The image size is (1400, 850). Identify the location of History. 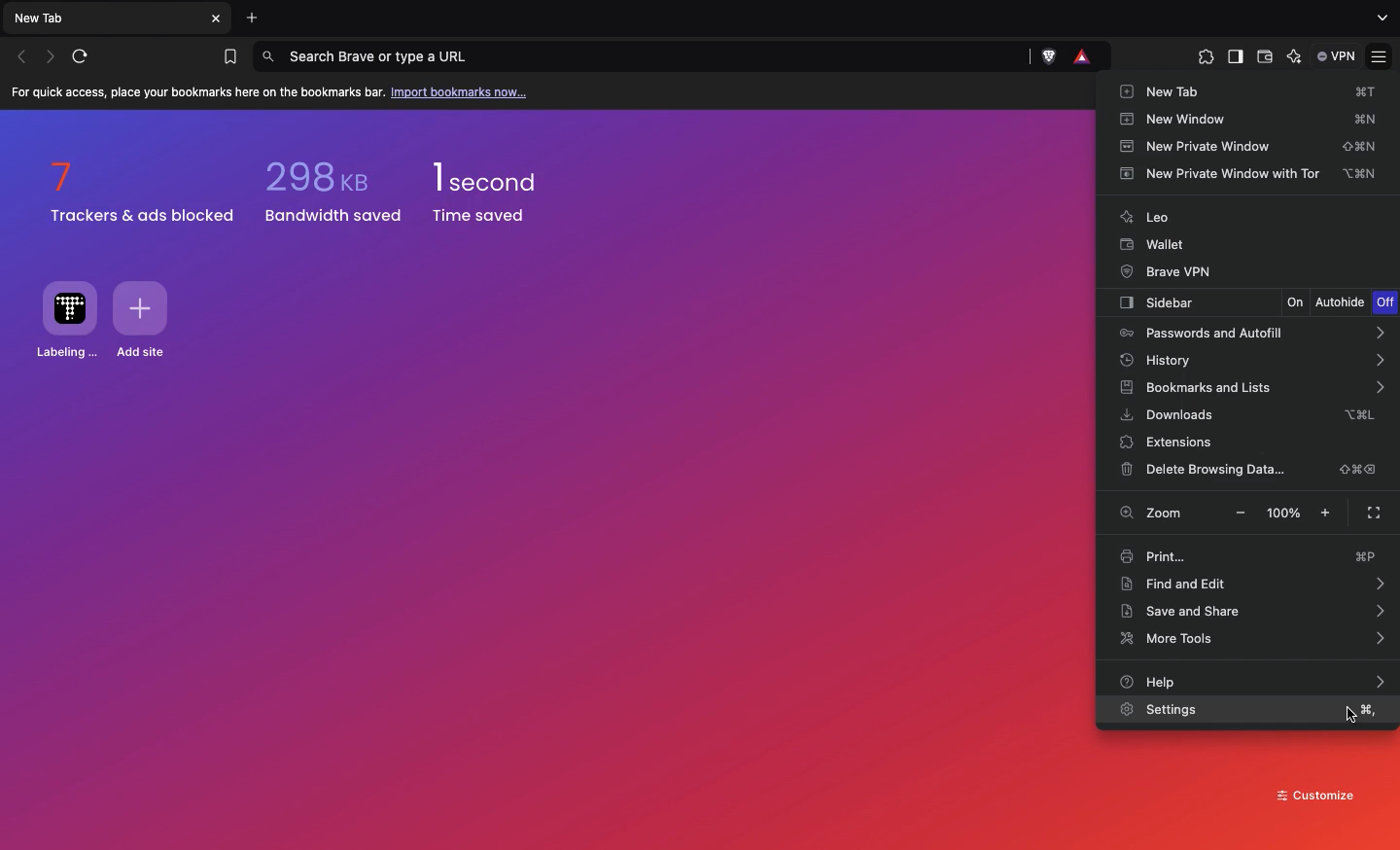
(1244, 359).